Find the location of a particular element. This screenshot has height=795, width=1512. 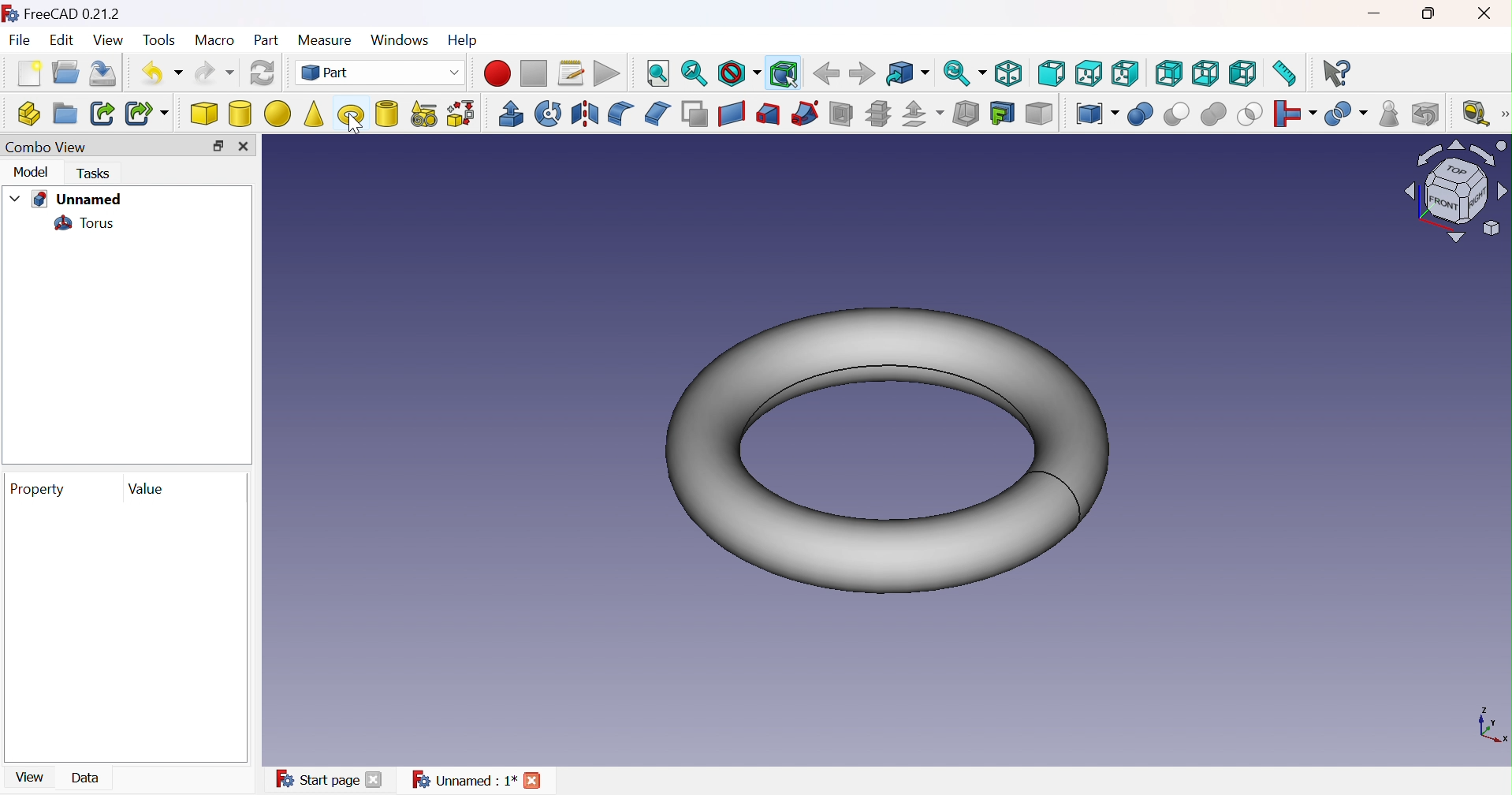

Macro recording is located at coordinates (497, 73).